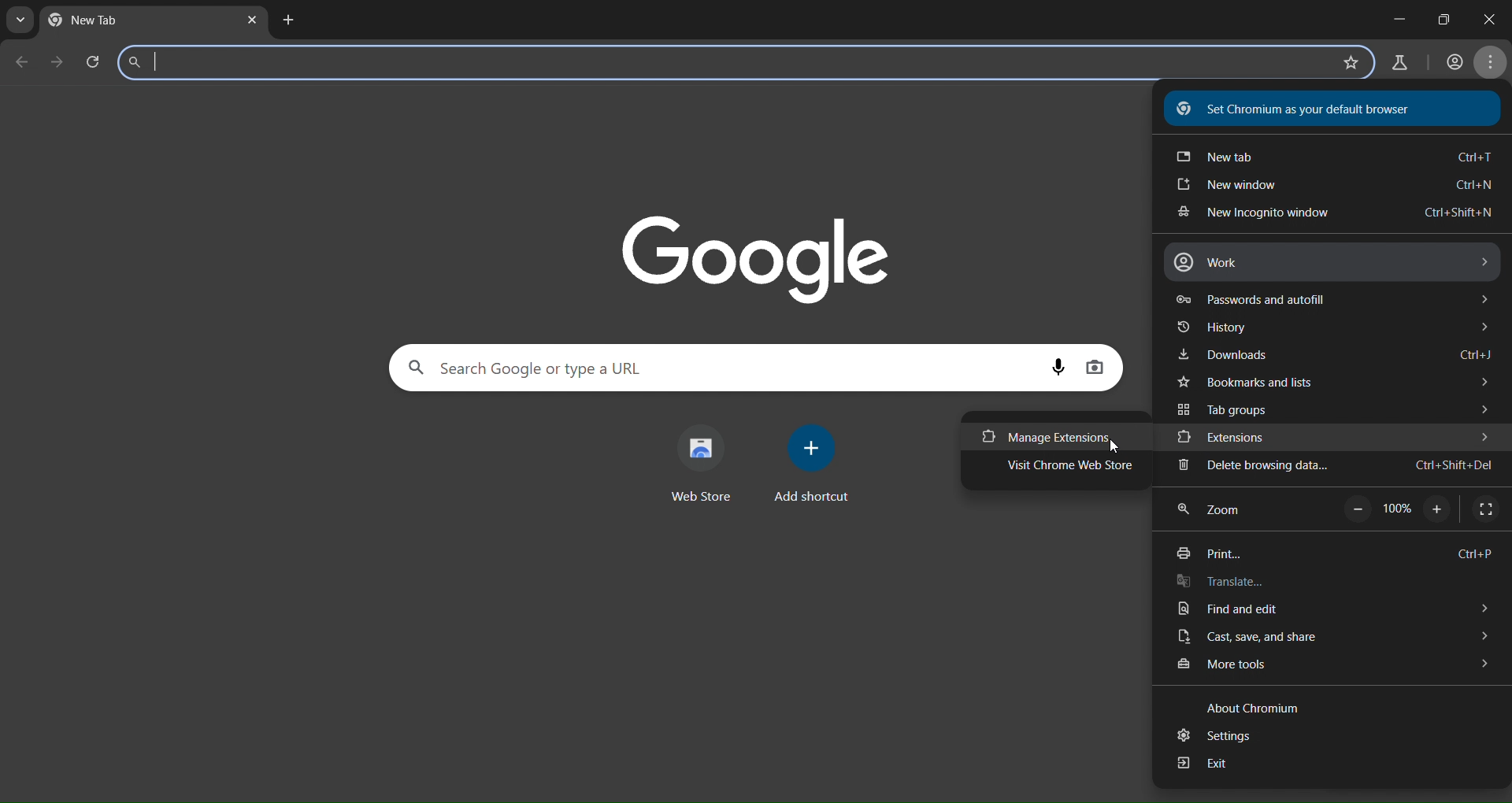 The width and height of the screenshot is (1512, 803). Describe the element at coordinates (1107, 450) in the screenshot. I see `cursor` at that location.